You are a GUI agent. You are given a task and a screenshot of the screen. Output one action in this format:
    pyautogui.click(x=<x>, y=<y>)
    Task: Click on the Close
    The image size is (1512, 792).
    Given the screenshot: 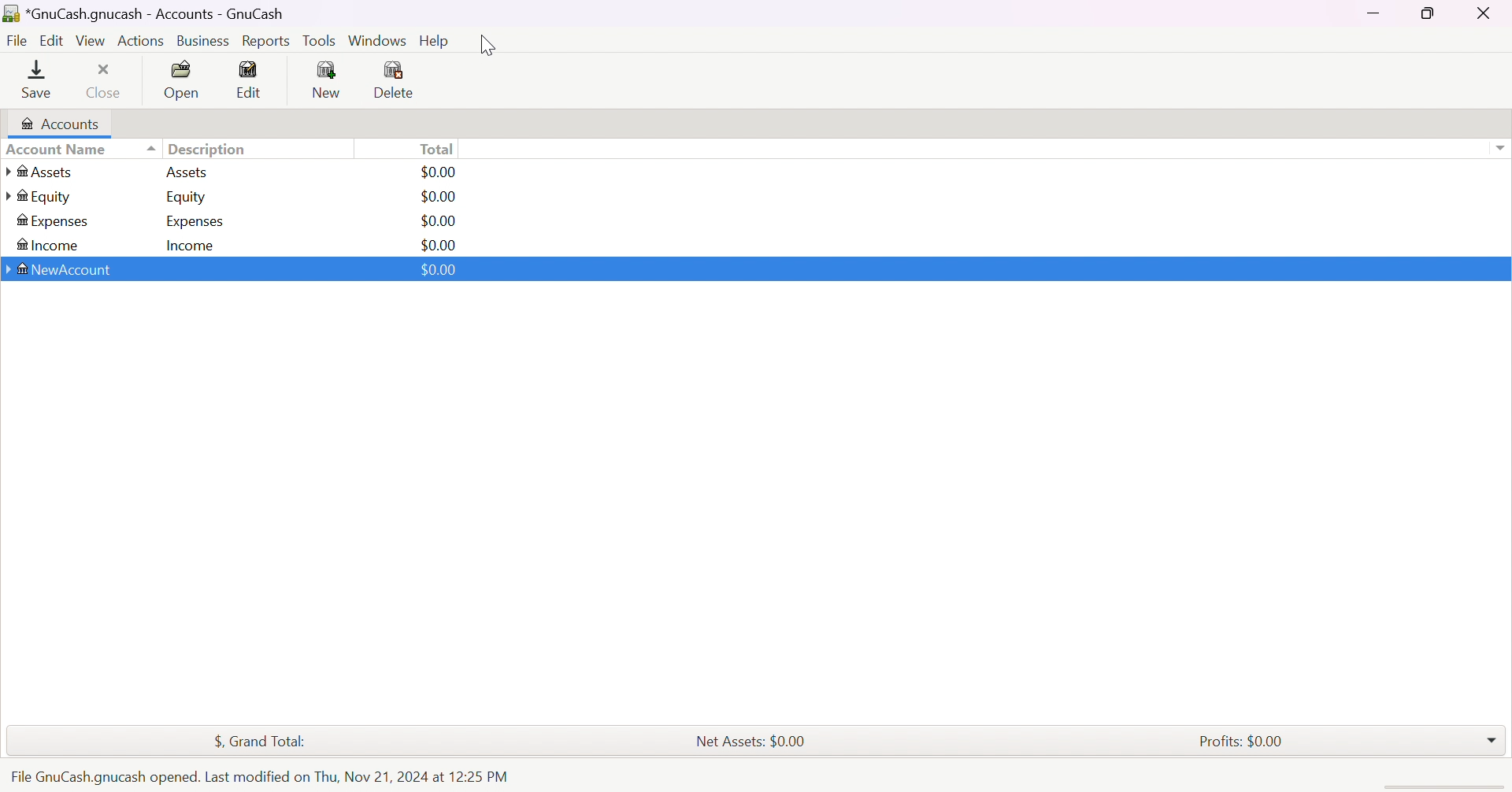 What is the action you would take?
    pyautogui.click(x=1485, y=13)
    